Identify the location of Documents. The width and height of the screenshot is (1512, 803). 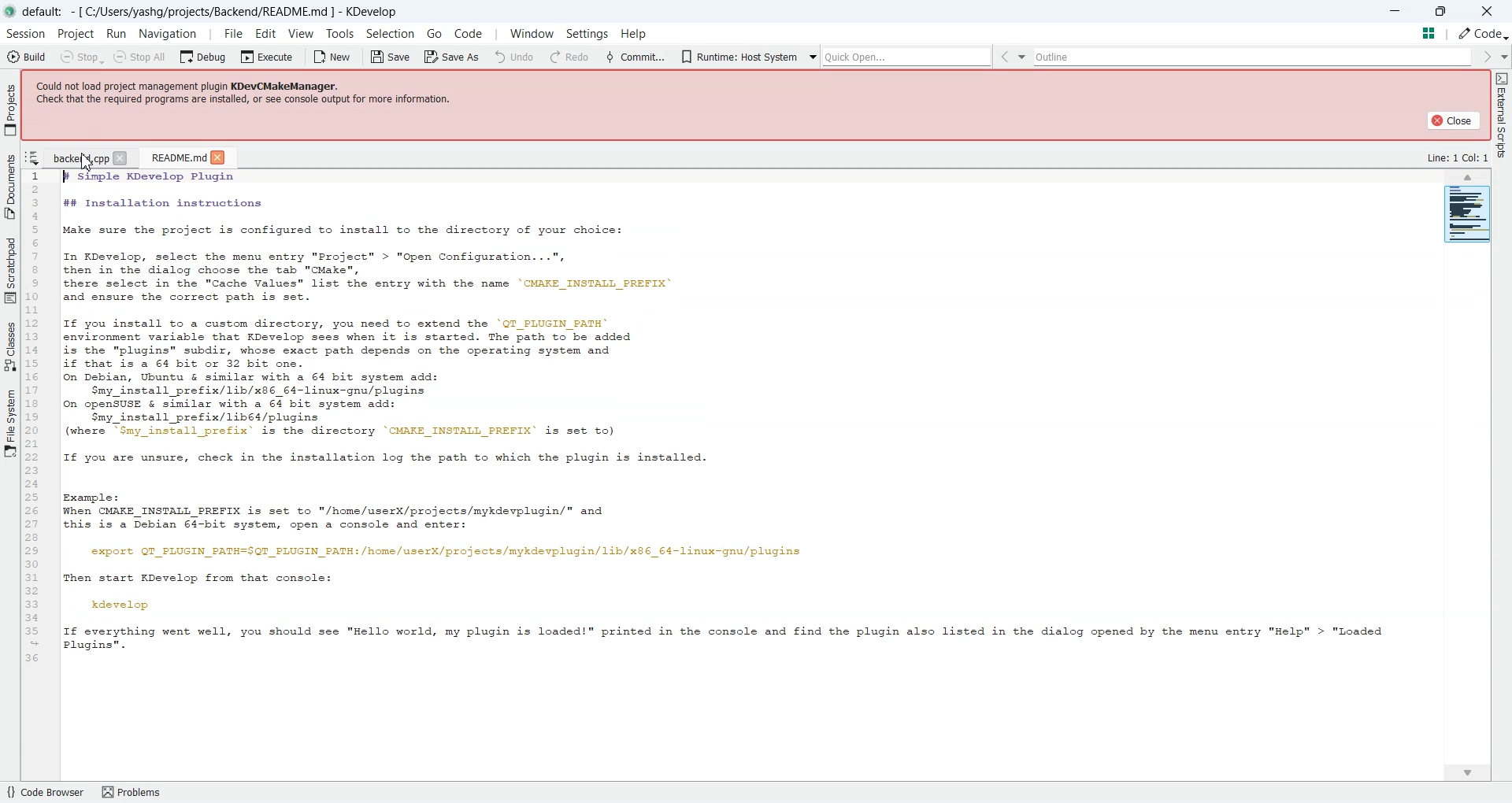
(10, 185).